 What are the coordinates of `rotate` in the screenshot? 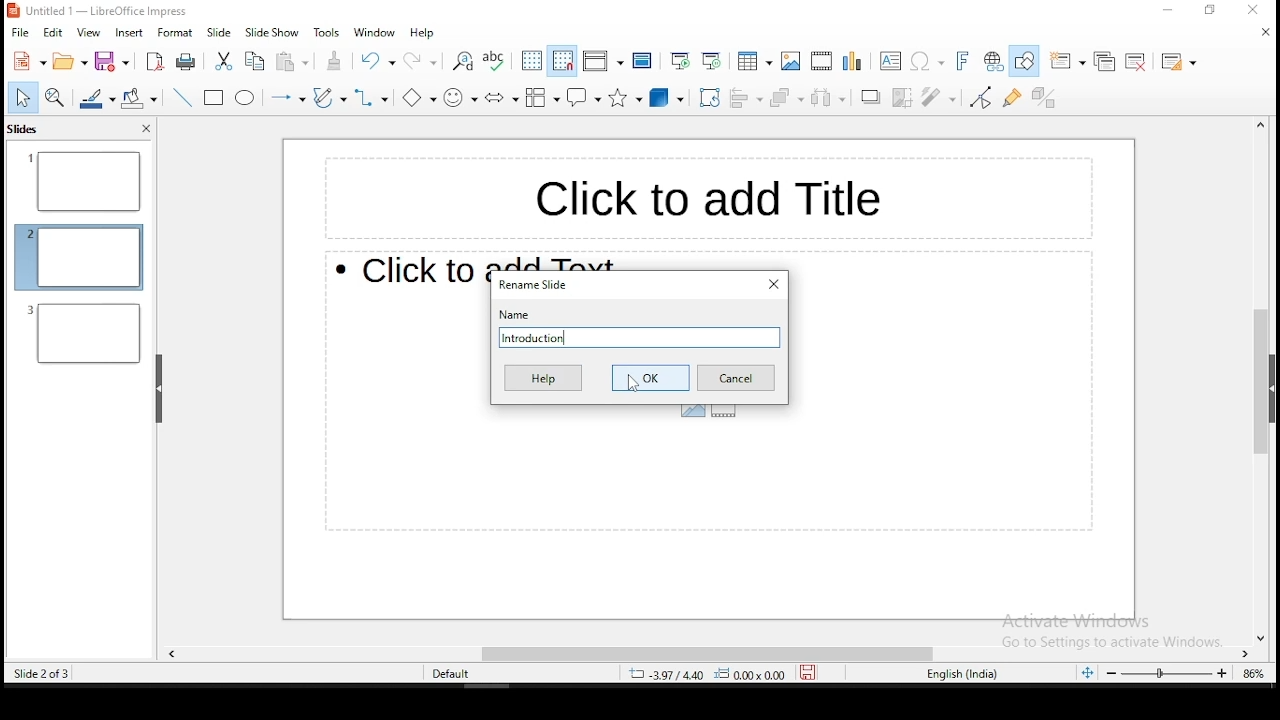 It's located at (709, 99).